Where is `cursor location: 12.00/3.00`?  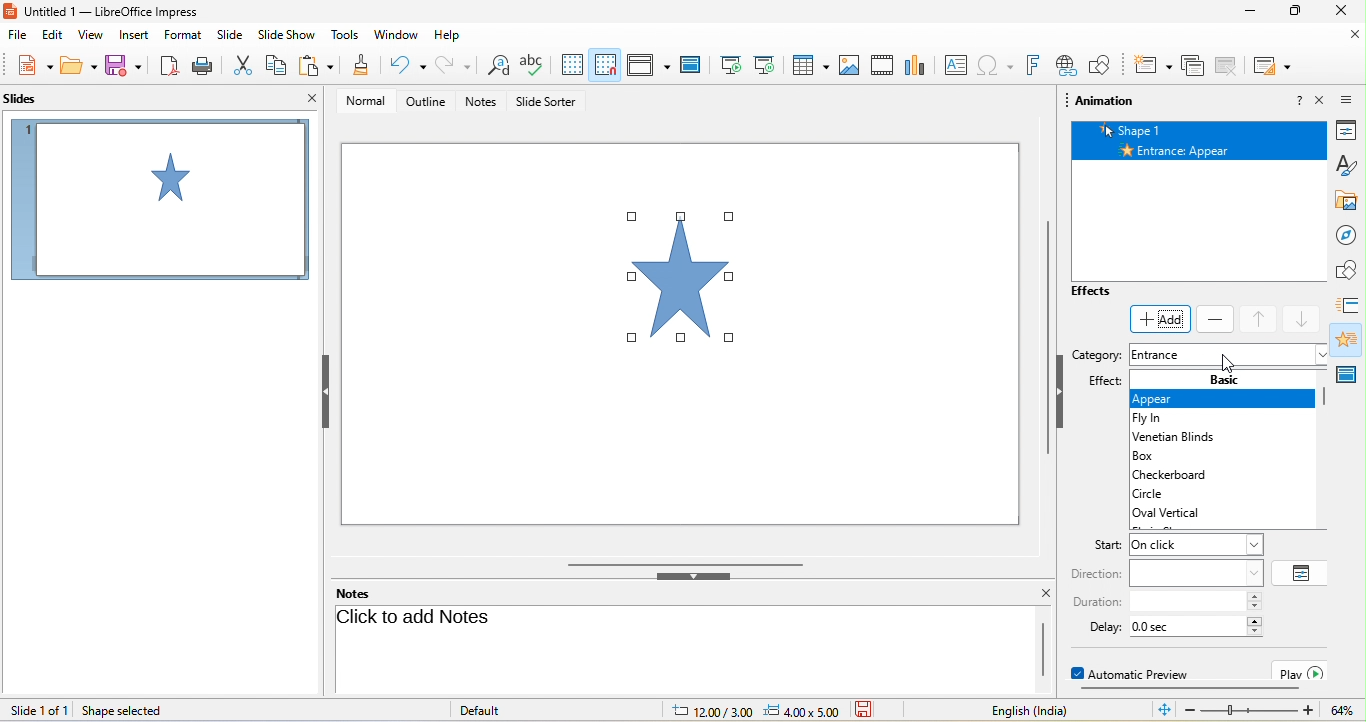
cursor location: 12.00/3.00 is located at coordinates (711, 712).